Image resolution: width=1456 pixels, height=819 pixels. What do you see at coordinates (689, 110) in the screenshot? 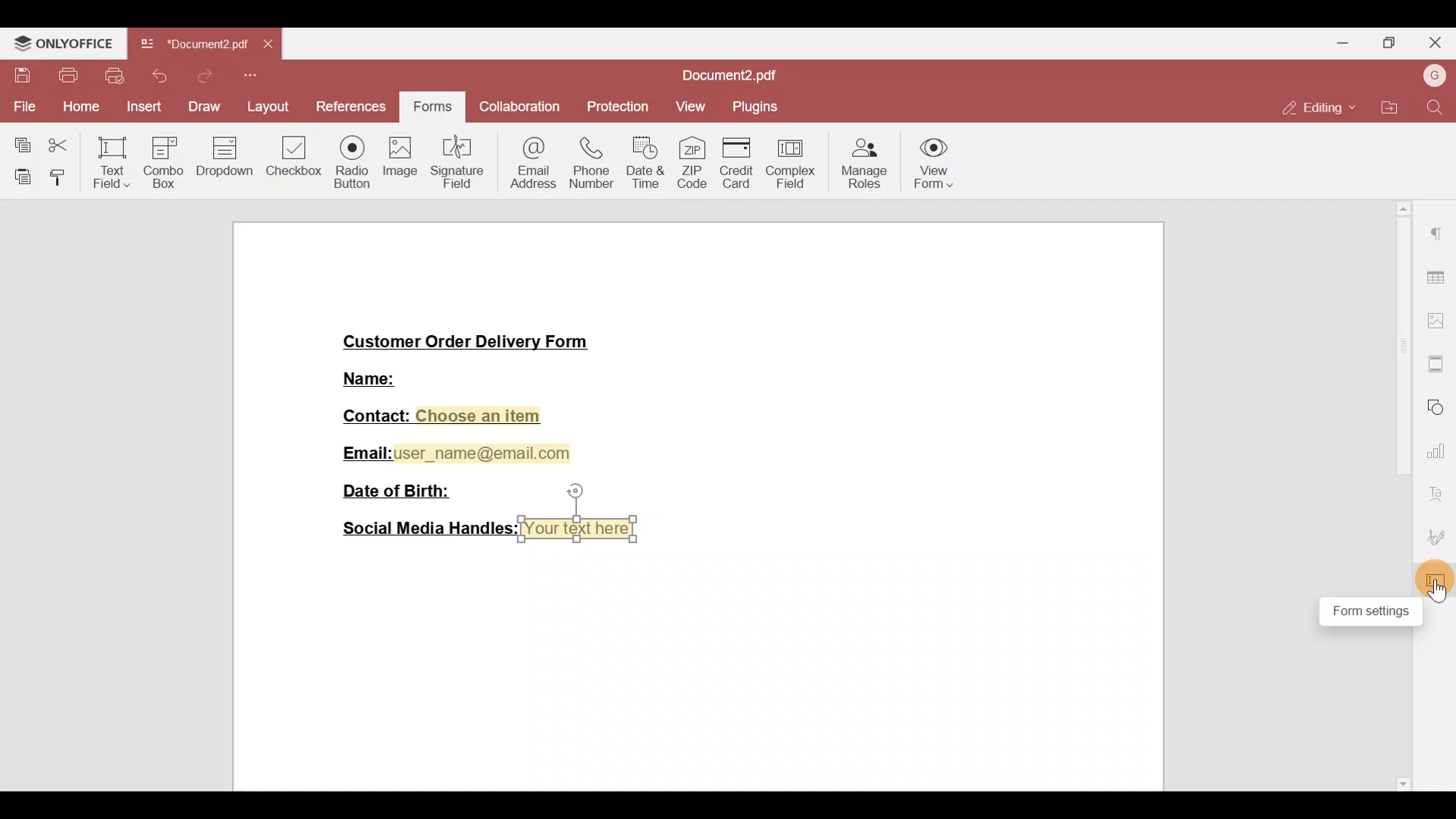
I see `View` at bounding box center [689, 110].